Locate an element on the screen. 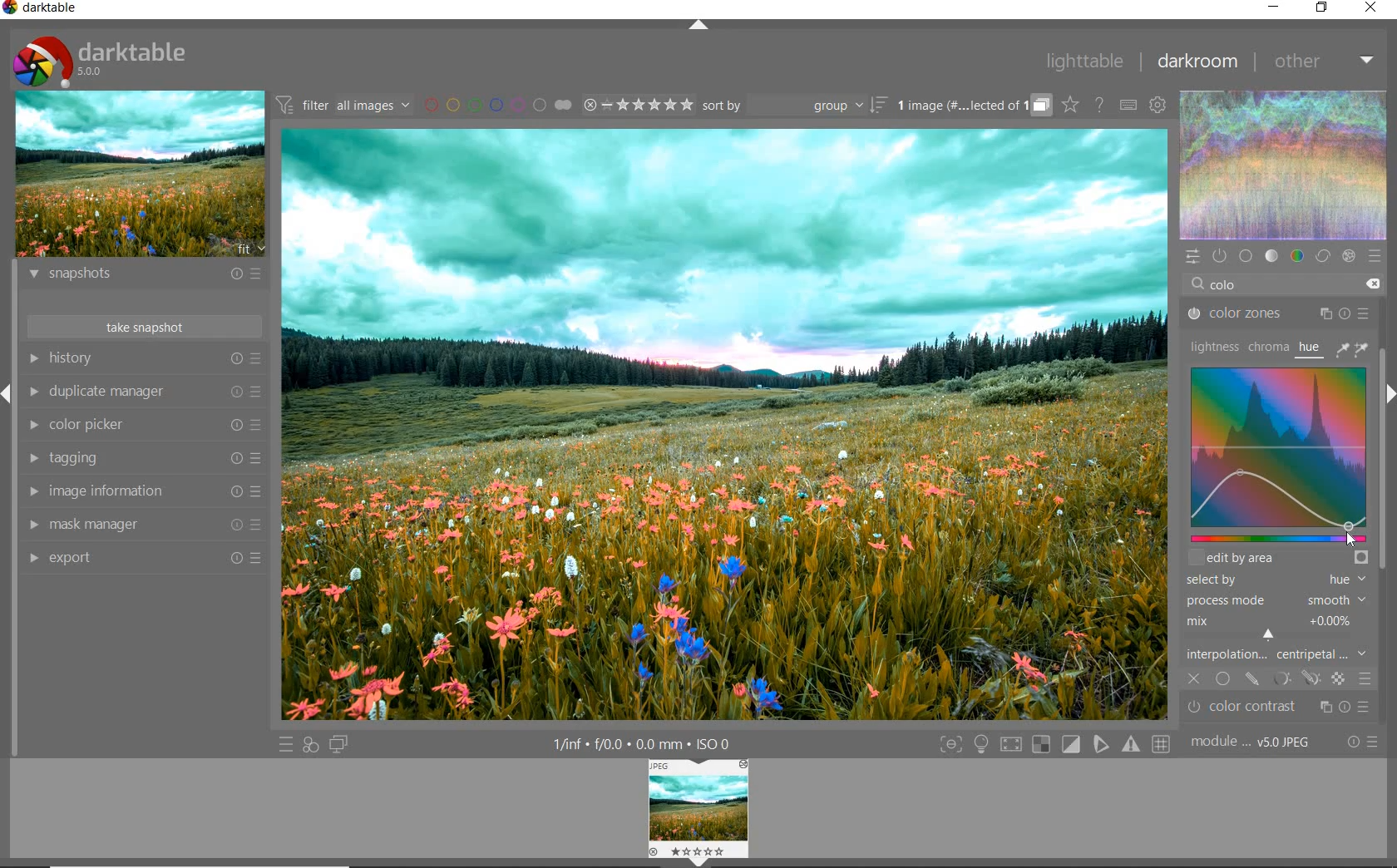  mask options is located at coordinates (1296, 679).